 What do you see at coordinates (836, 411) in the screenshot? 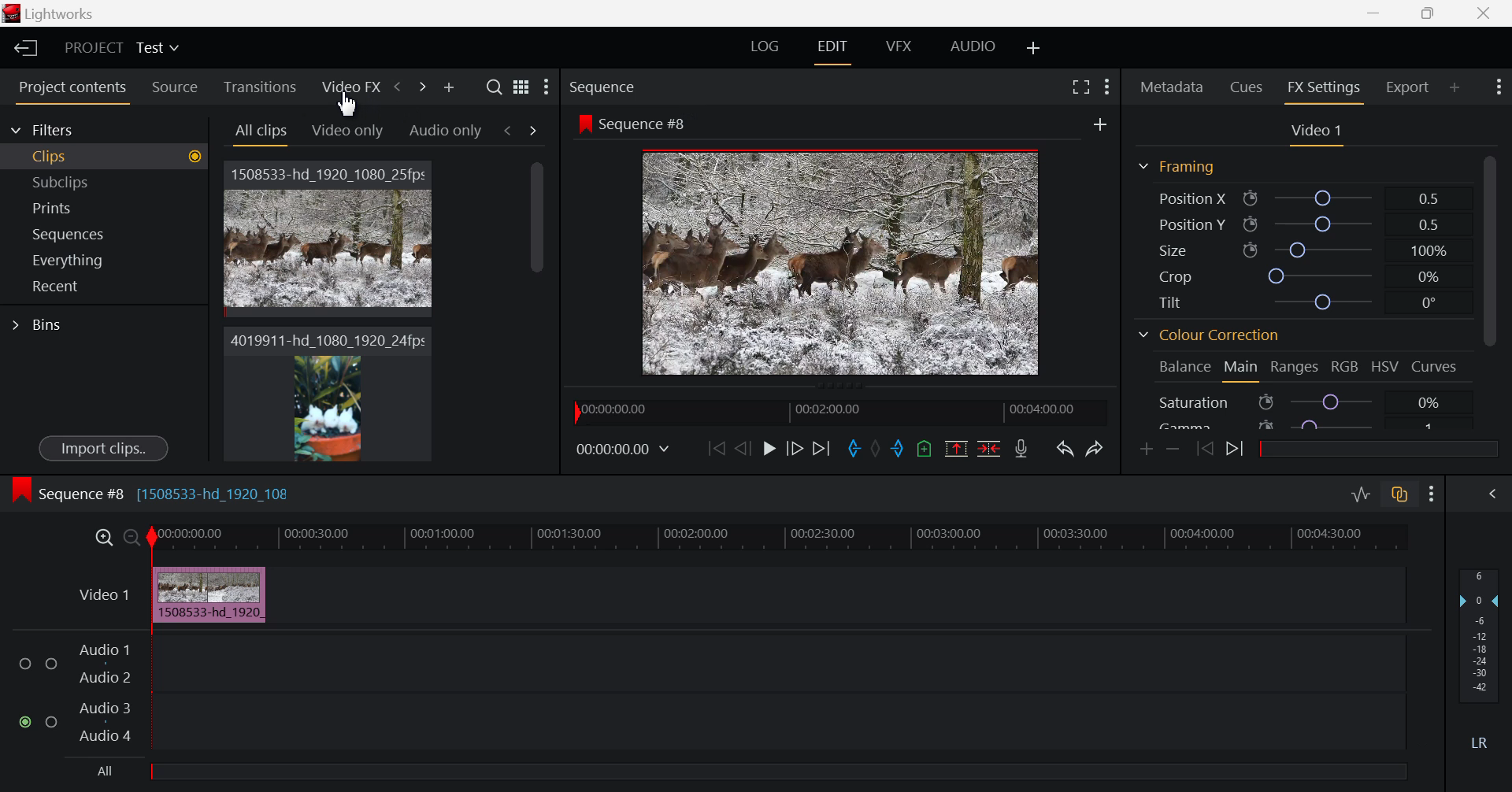
I see `Project Timeline Navigator` at bounding box center [836, 411].